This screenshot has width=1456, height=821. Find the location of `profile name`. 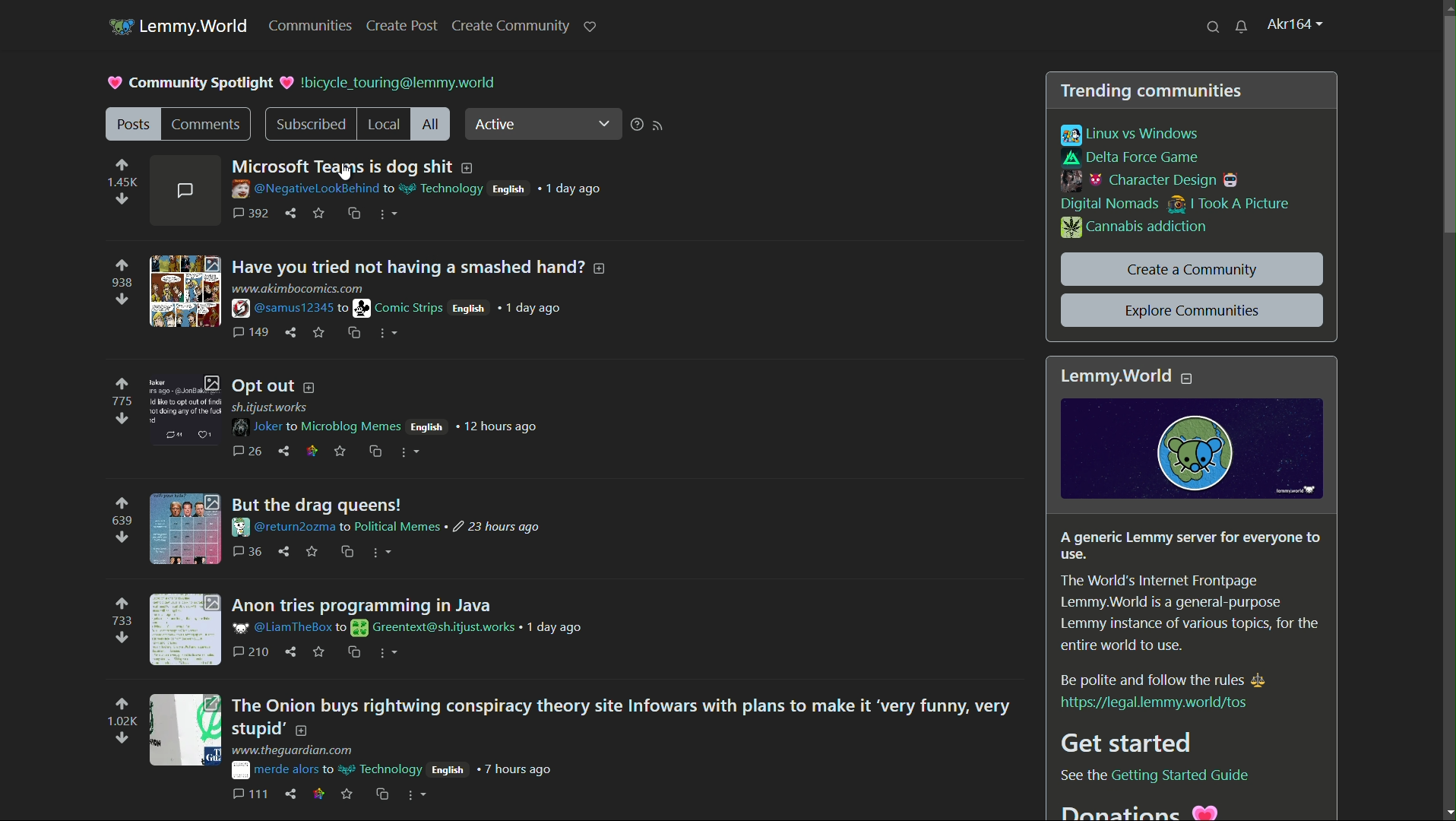

profile name is located at coordinates (1296, 25).